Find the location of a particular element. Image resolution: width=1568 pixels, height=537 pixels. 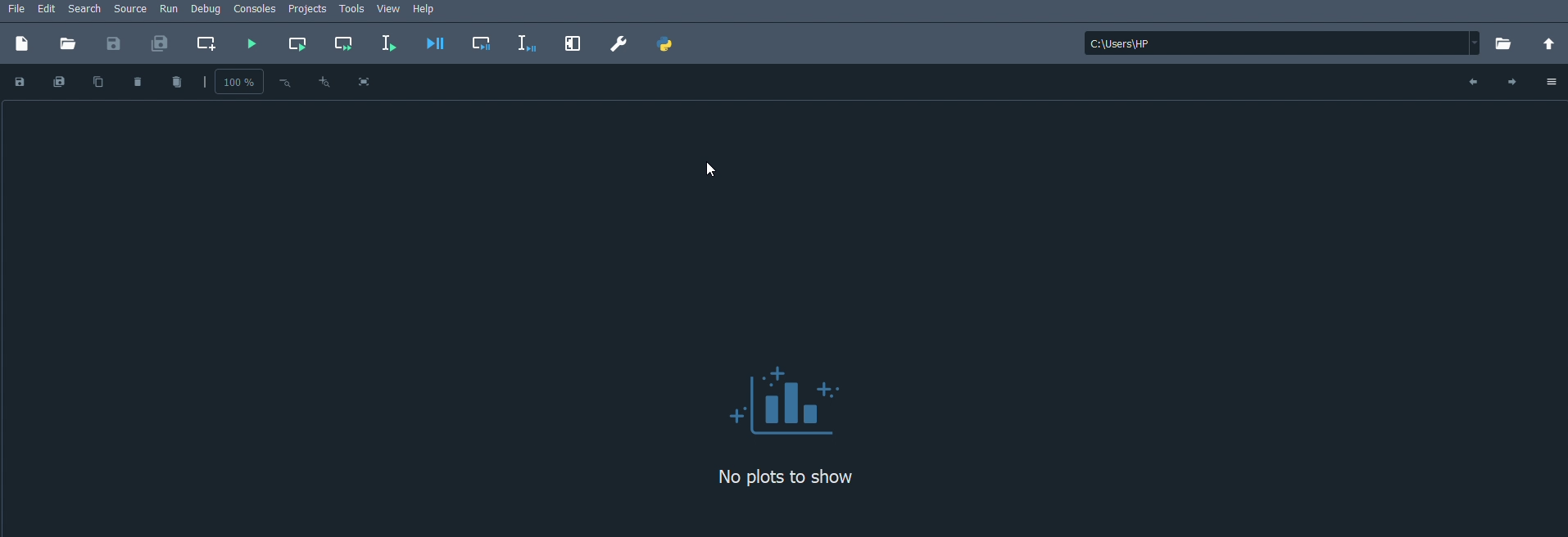

Help is located at coordinates (431, 11).